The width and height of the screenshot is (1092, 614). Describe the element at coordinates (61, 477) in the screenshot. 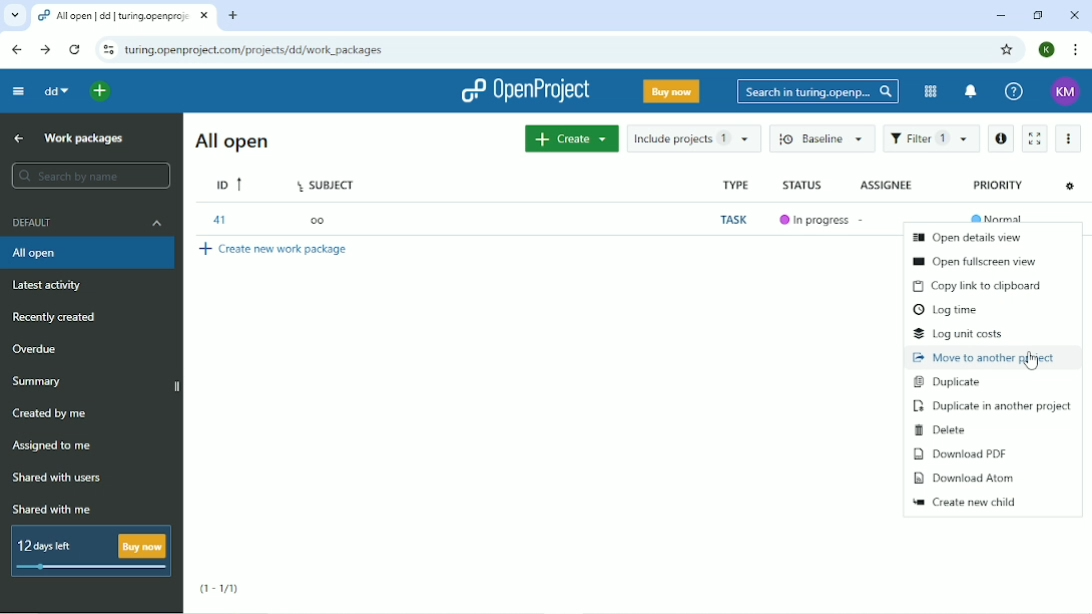

I see `Shared with users` at that location.